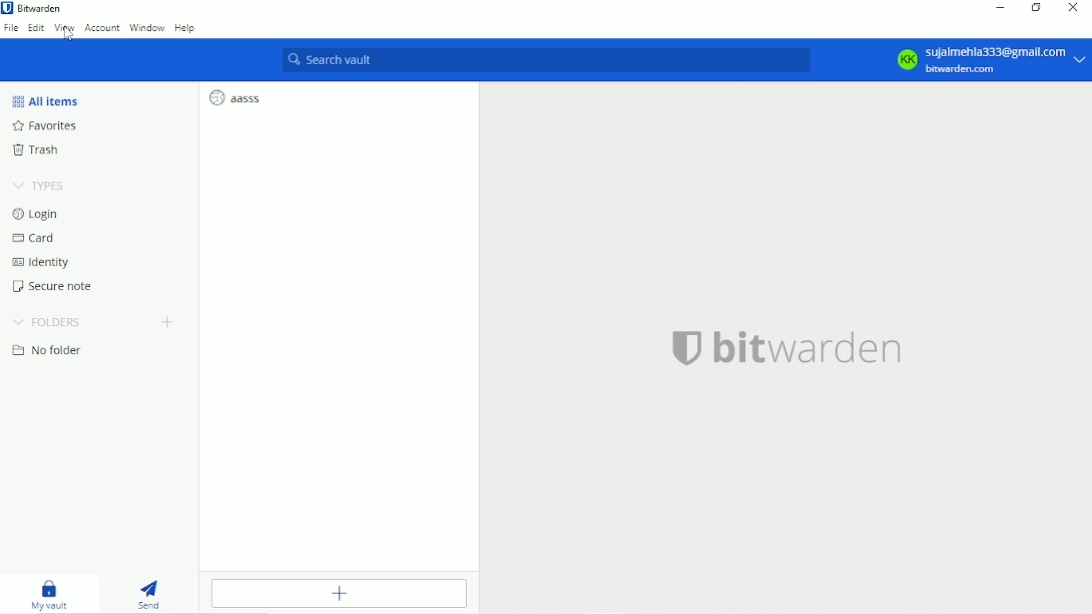 The height and width of the screenshot is (614, 1092). Describe the element at coordinates (167, 324) in the screenshot. I see `Create folder` at that location.